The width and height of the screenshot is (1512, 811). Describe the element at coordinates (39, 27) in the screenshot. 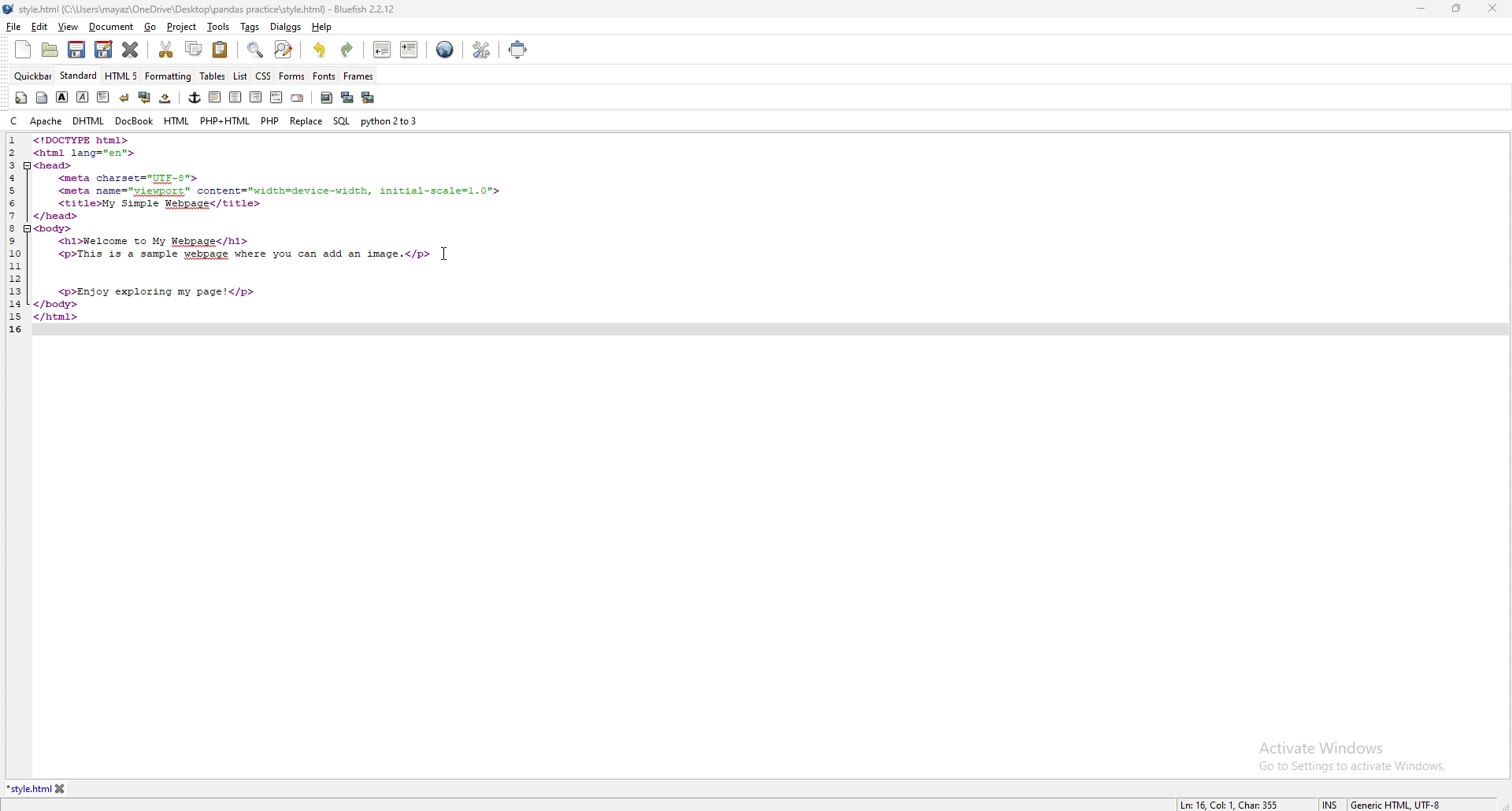

I see `edit` at that location.